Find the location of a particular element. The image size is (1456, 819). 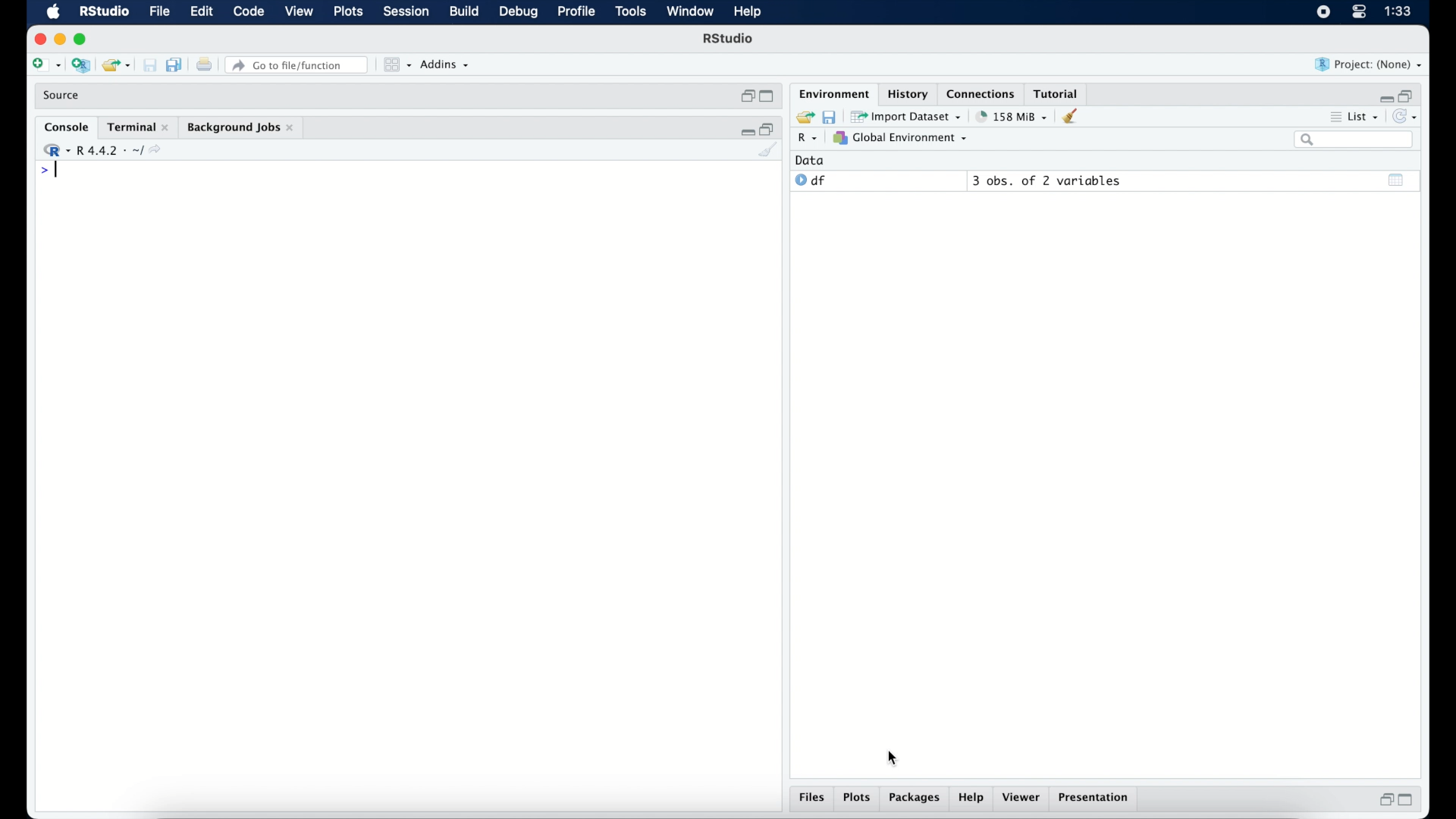

tools is located at coordinates (629, 12).